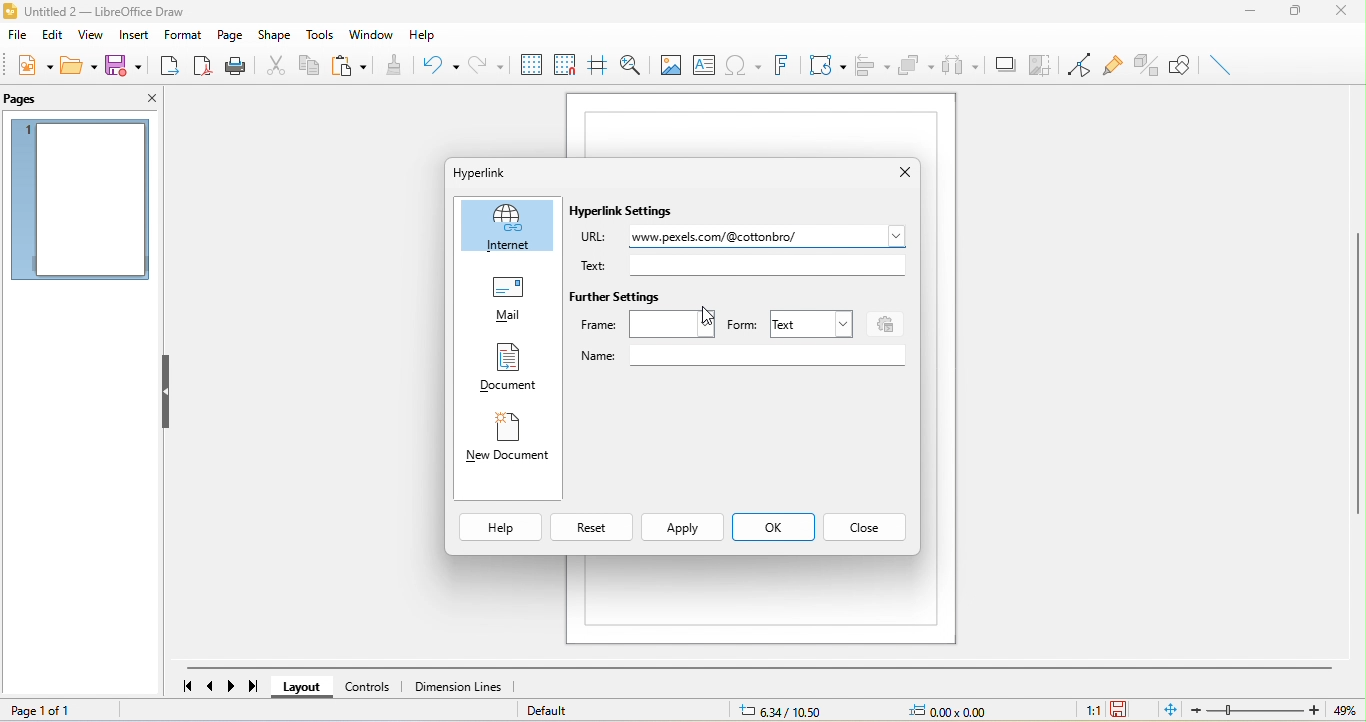 The width and height of the screenshot is (1366, 722). Describe the element at coordinates (1075, 63) in the screenshot. I see `toggle point edit mode` at that location.